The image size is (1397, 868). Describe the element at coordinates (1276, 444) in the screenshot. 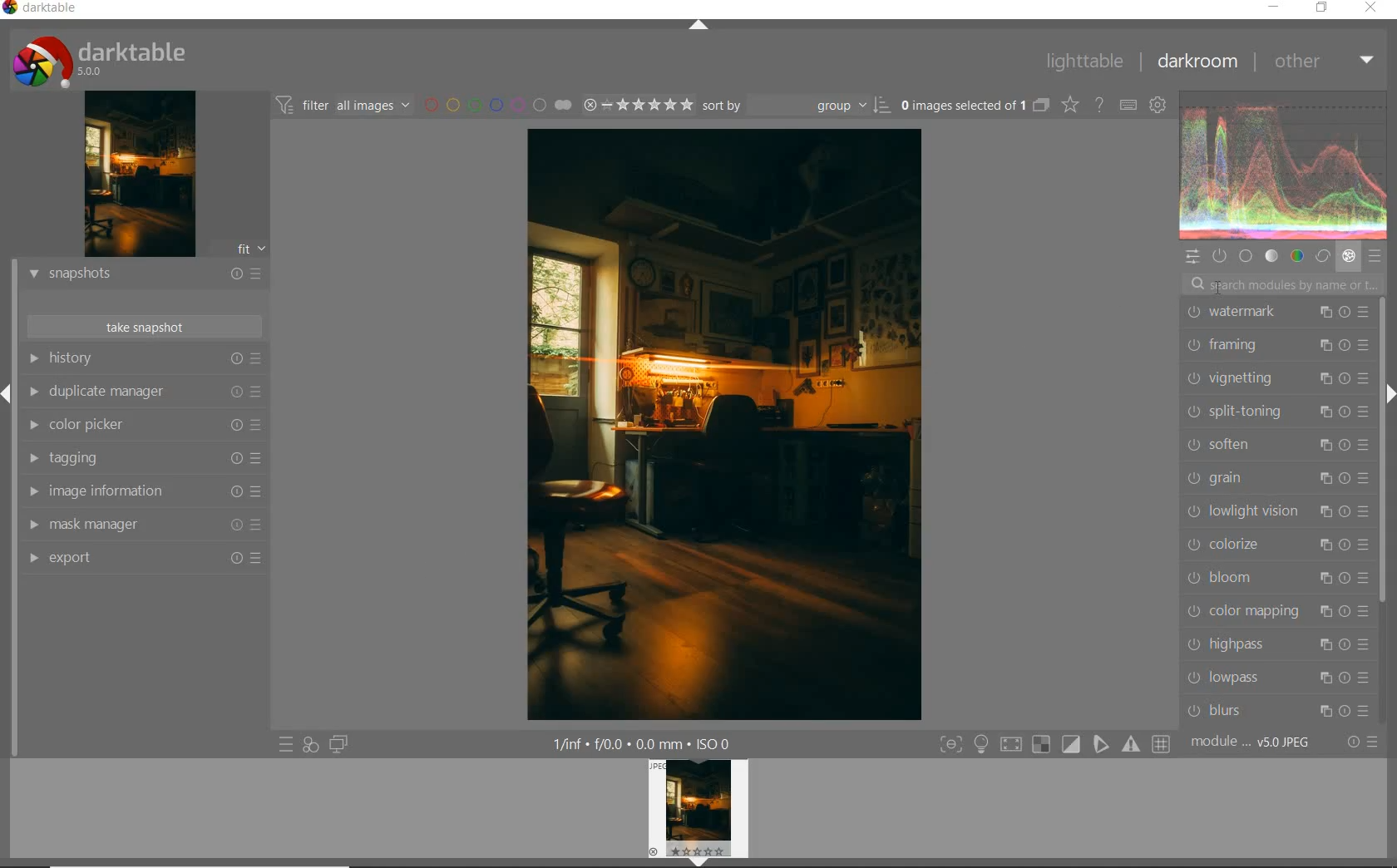

I see `soften` at that location.